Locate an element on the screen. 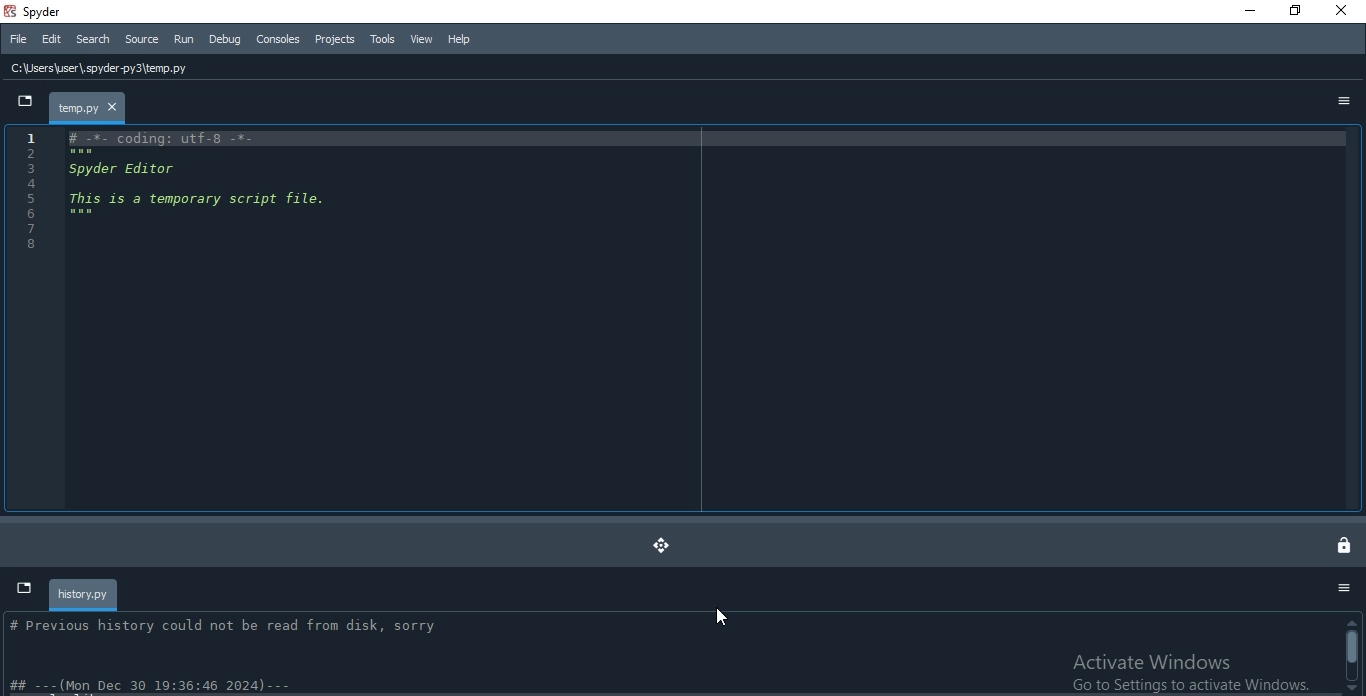 Image resolution: width=1366 pixels, height=696 pixels. Minimise is located at coordinates (1246, 9).